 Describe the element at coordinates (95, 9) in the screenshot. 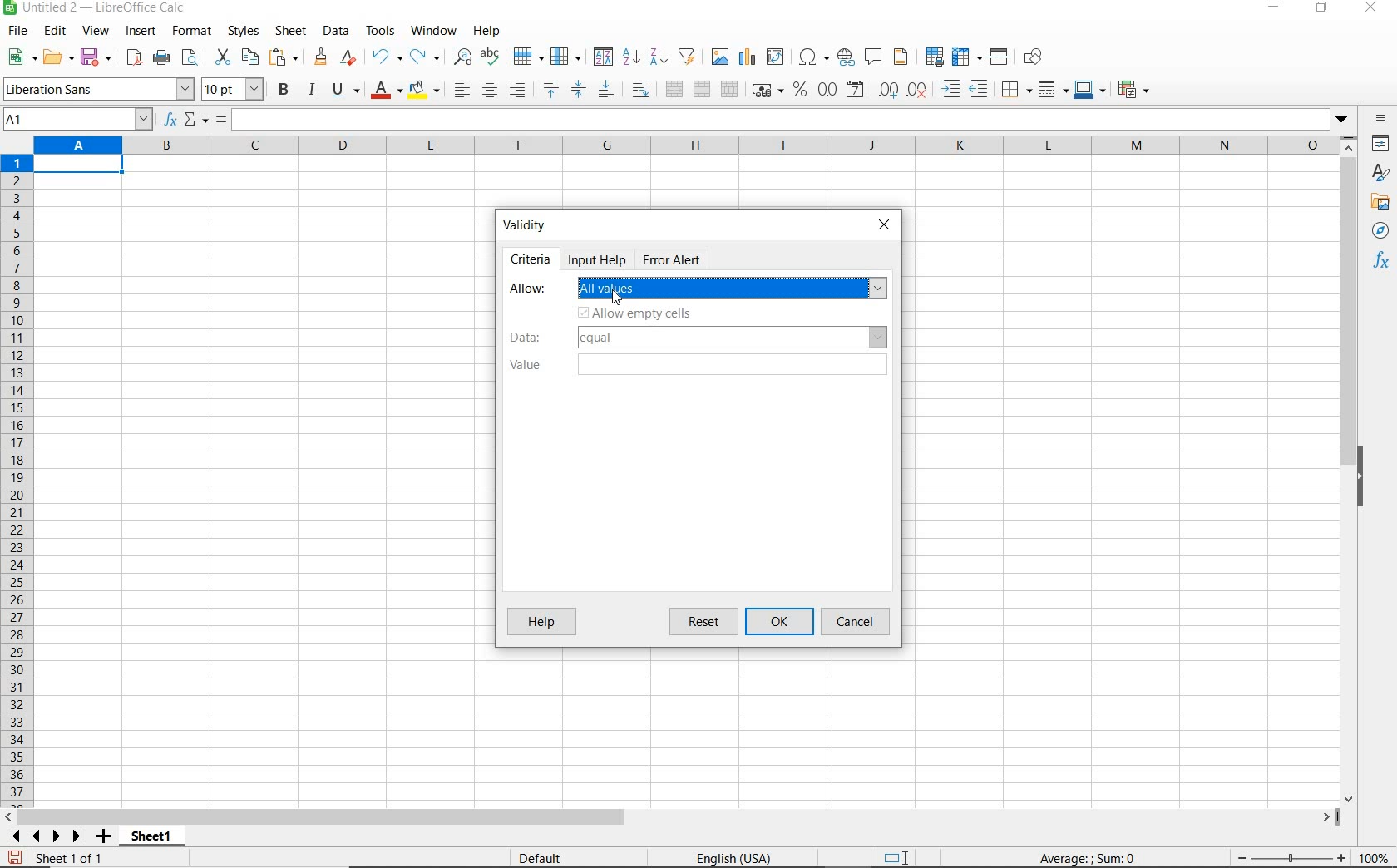

I see `file name` at that location.